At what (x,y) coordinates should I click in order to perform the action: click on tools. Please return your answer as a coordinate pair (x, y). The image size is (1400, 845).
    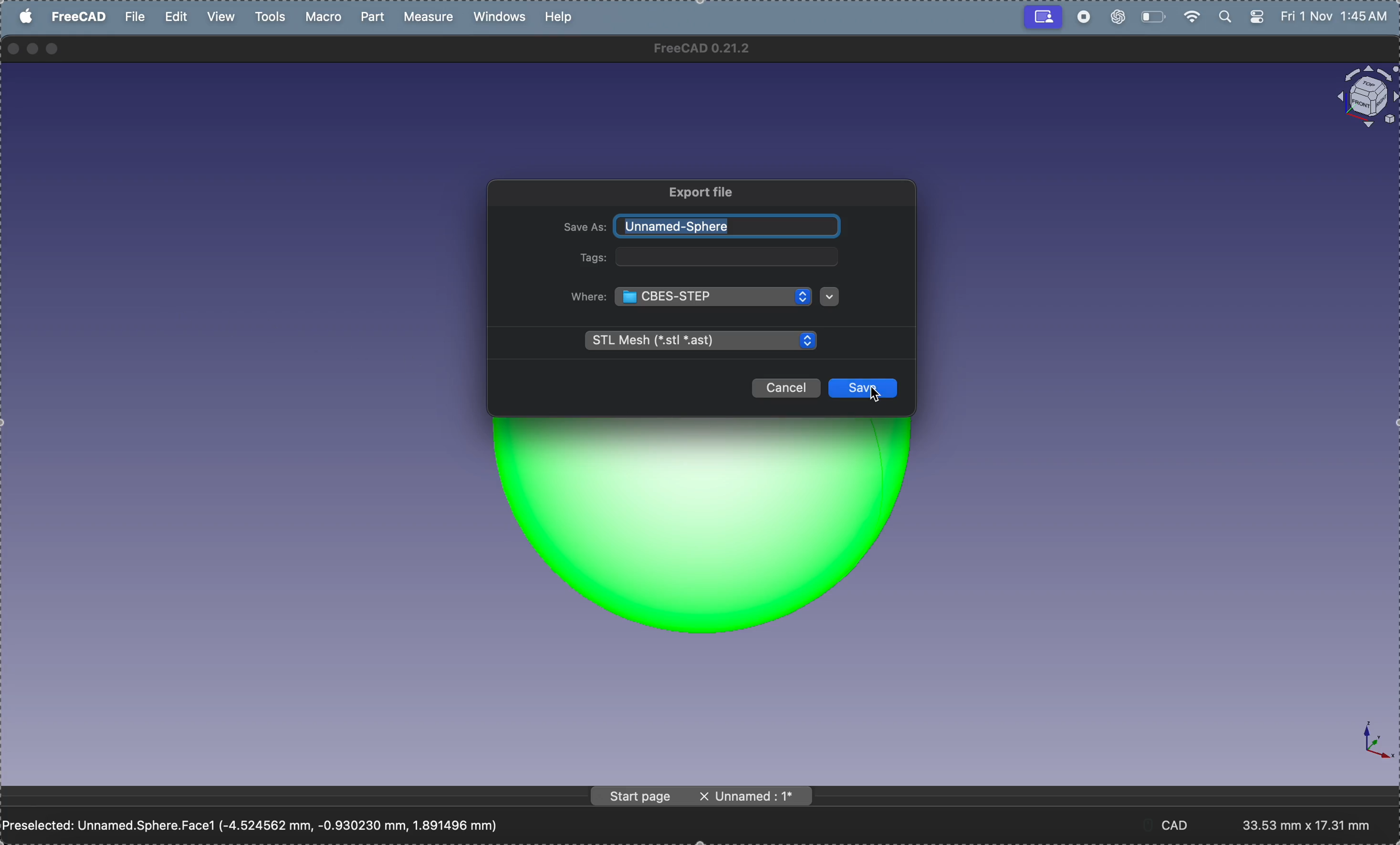
    Looking at the image, I should click on (270, 17).